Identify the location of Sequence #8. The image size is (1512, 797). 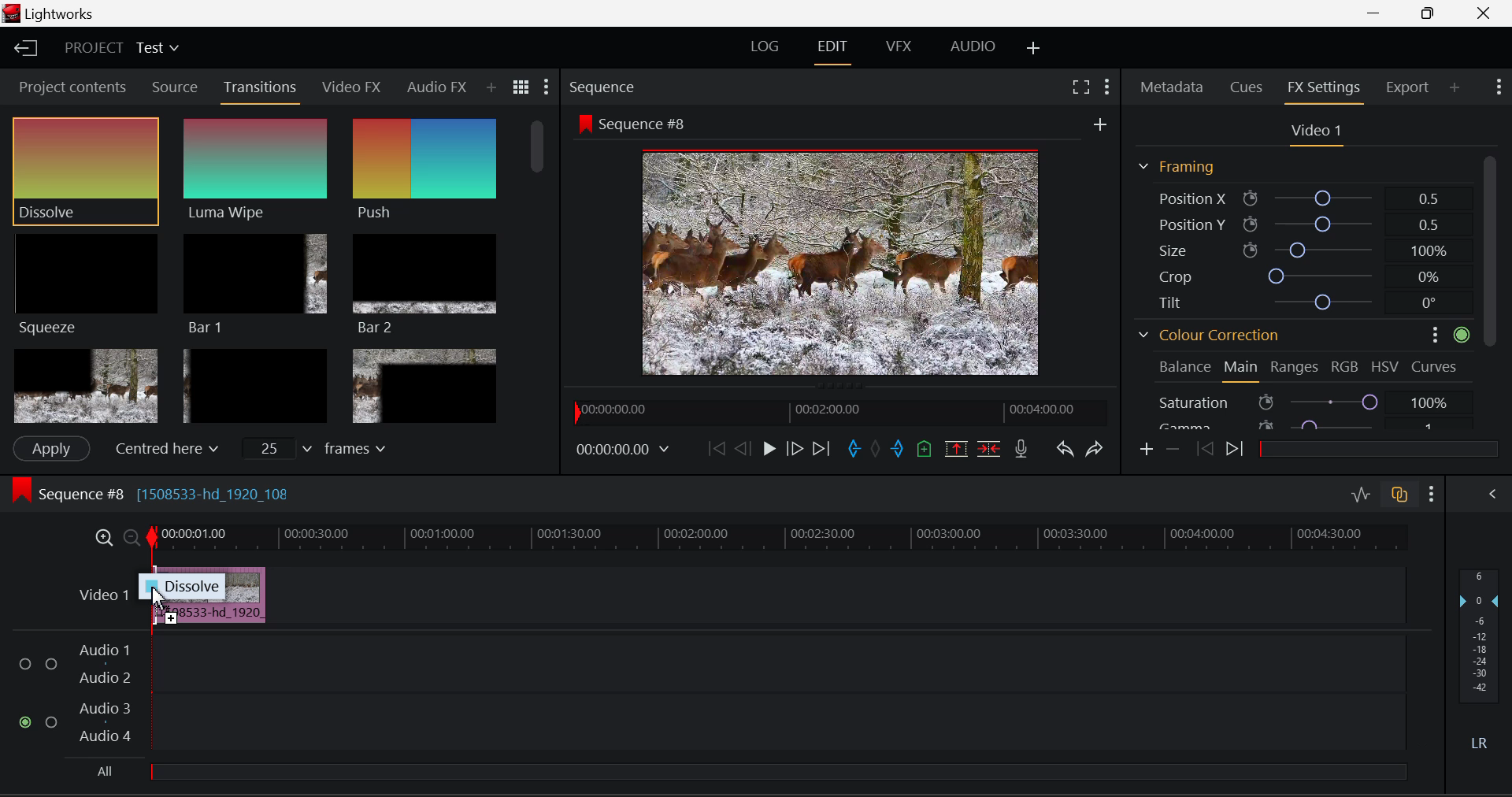
(632, 122).